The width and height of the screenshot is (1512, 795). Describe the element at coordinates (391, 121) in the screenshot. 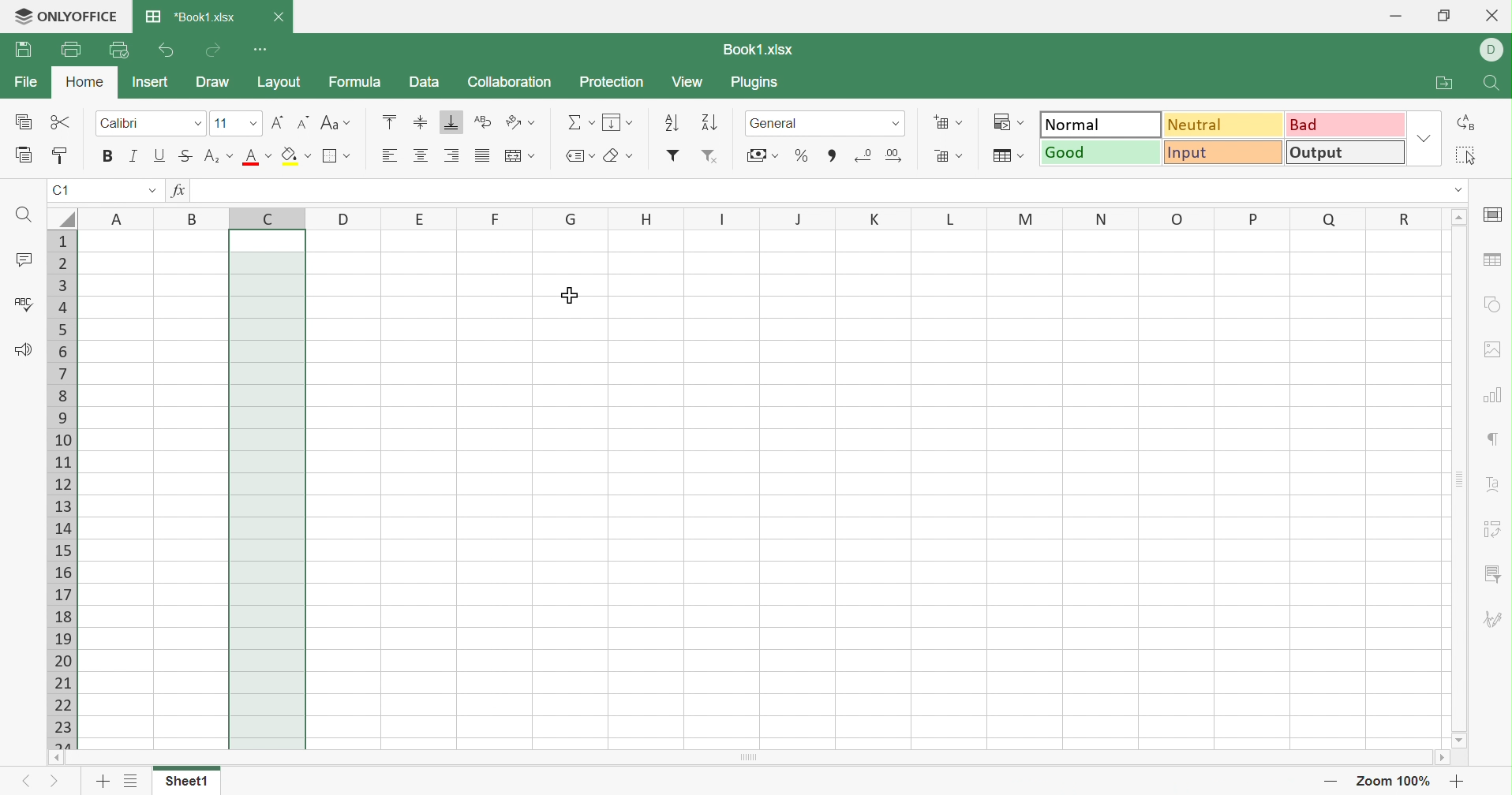

I see `Align Top` at that location.